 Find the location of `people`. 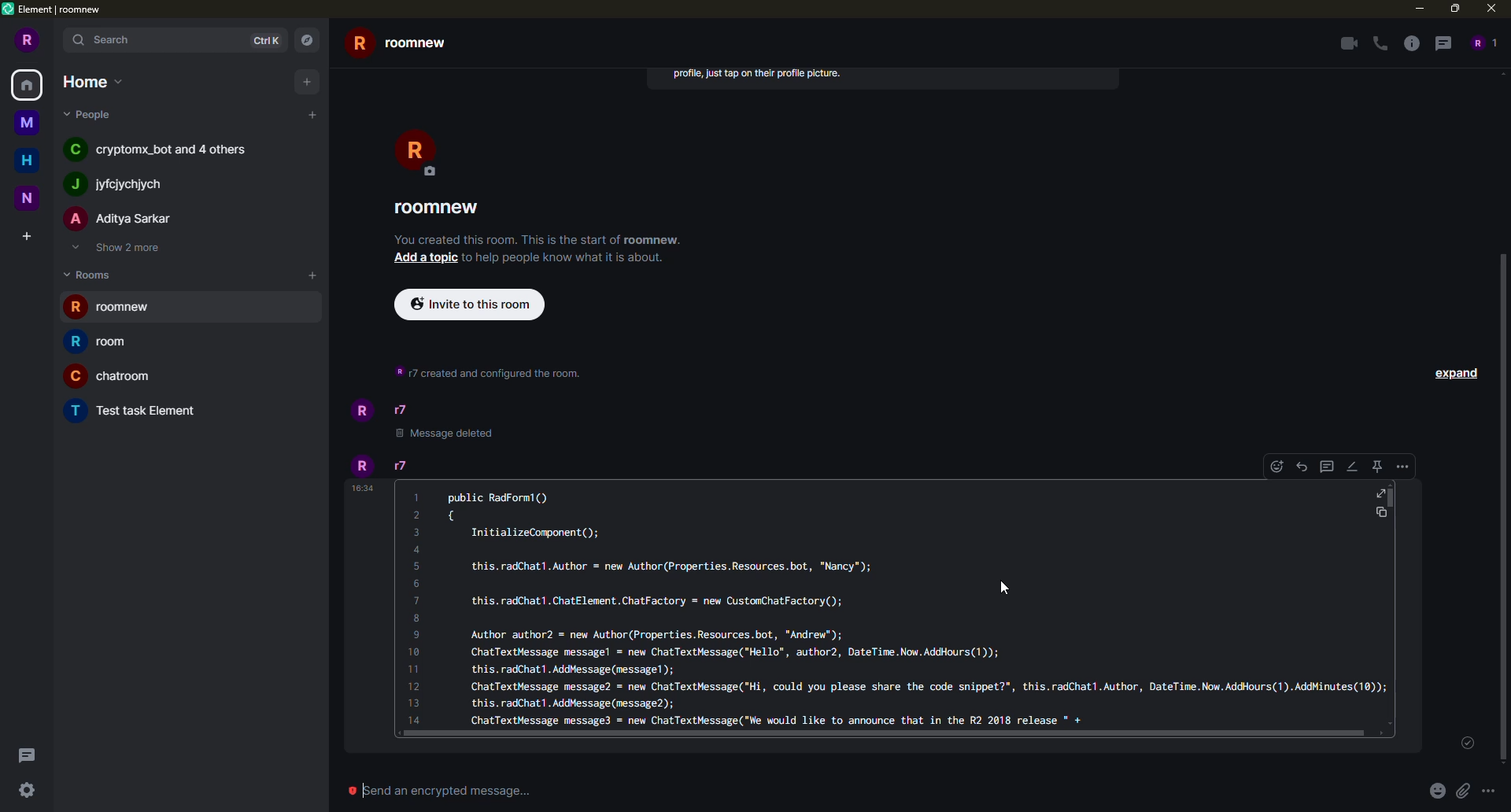

people is located at coordinates (124, 185).